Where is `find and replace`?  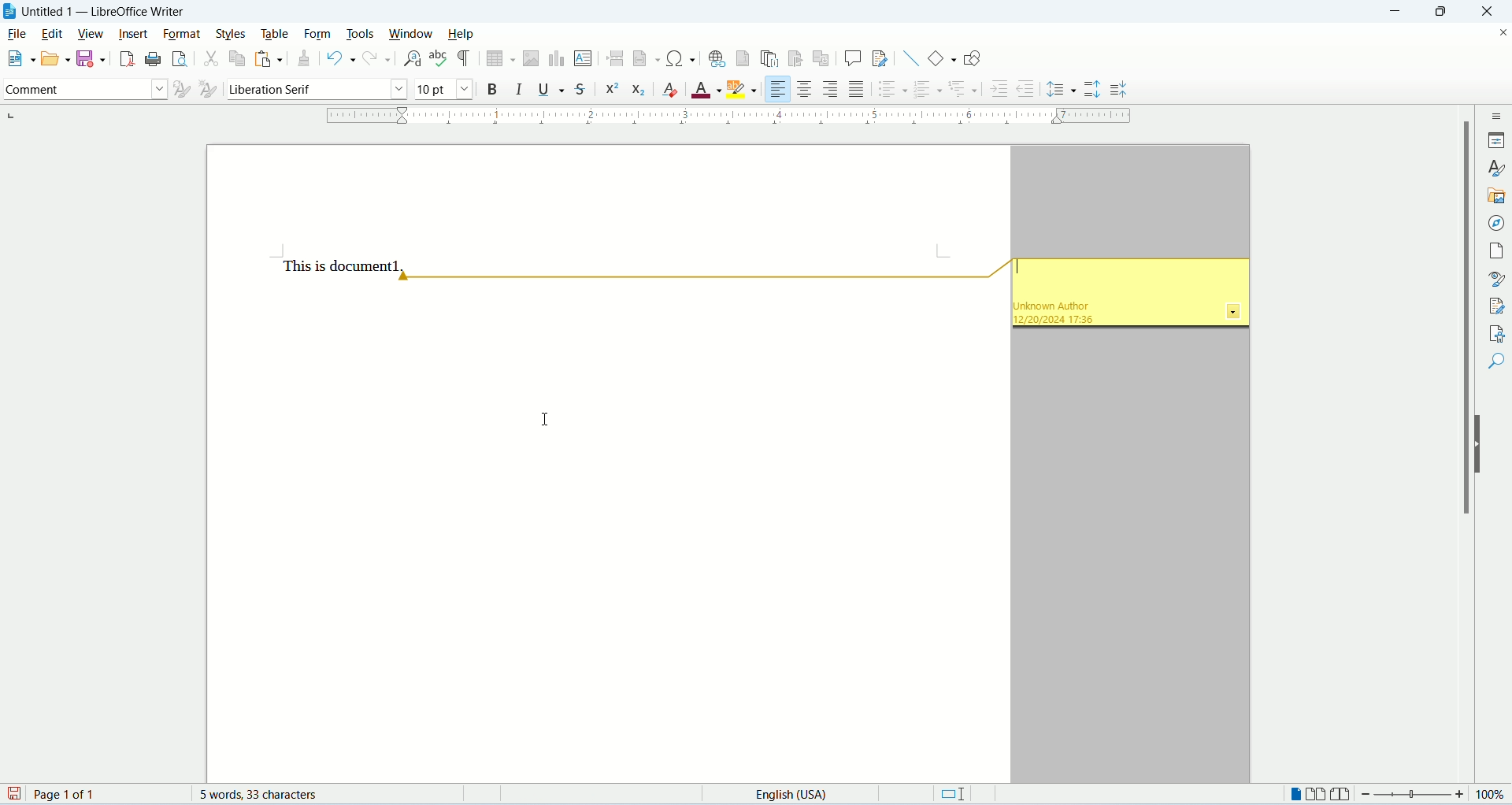 find and replace is located at coordinates (410, 59).